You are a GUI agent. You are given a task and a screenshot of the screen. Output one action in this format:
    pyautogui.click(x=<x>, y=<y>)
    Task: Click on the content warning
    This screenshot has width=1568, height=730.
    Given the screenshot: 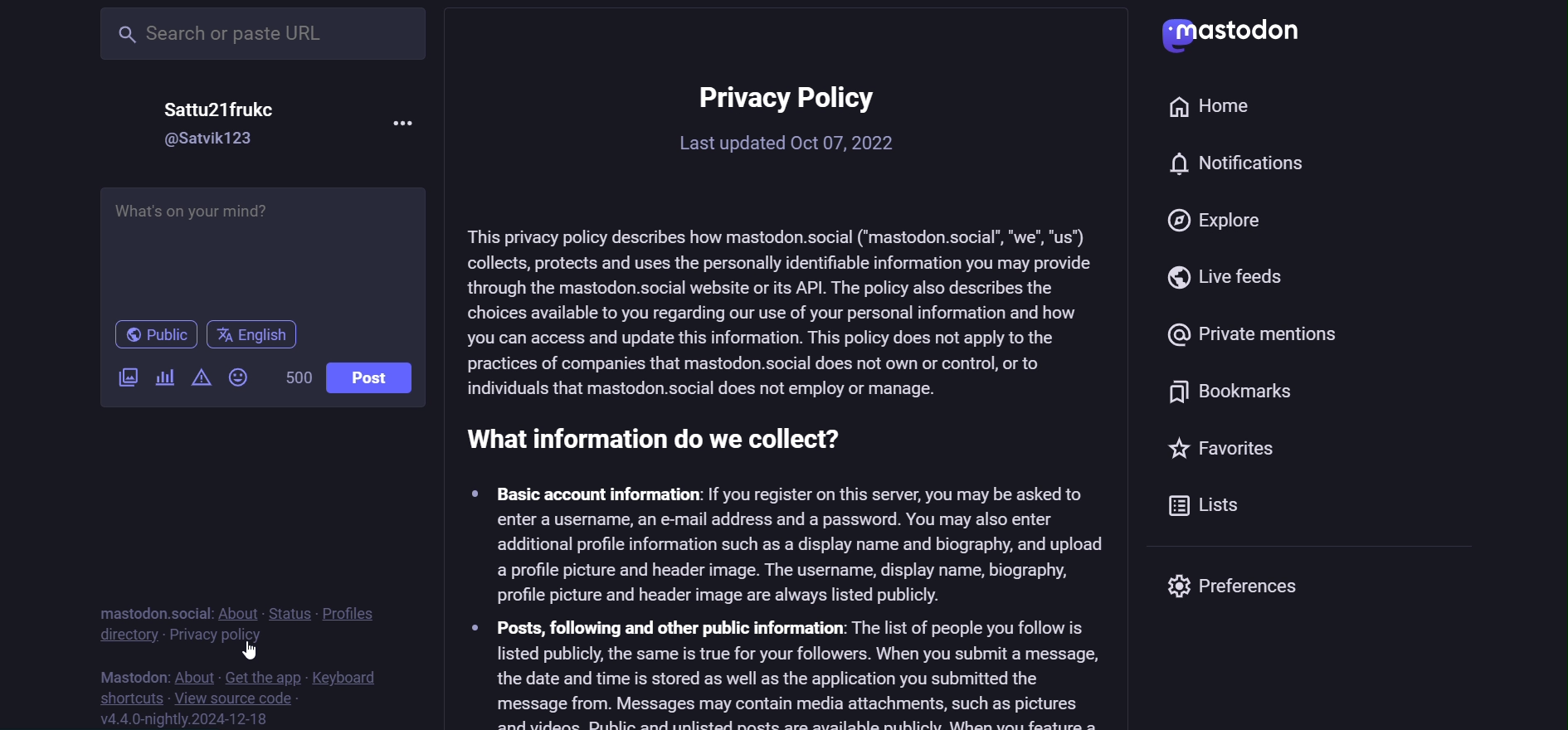 What is the action you would take?
    pyautogui.click(x=202, y=377)
    